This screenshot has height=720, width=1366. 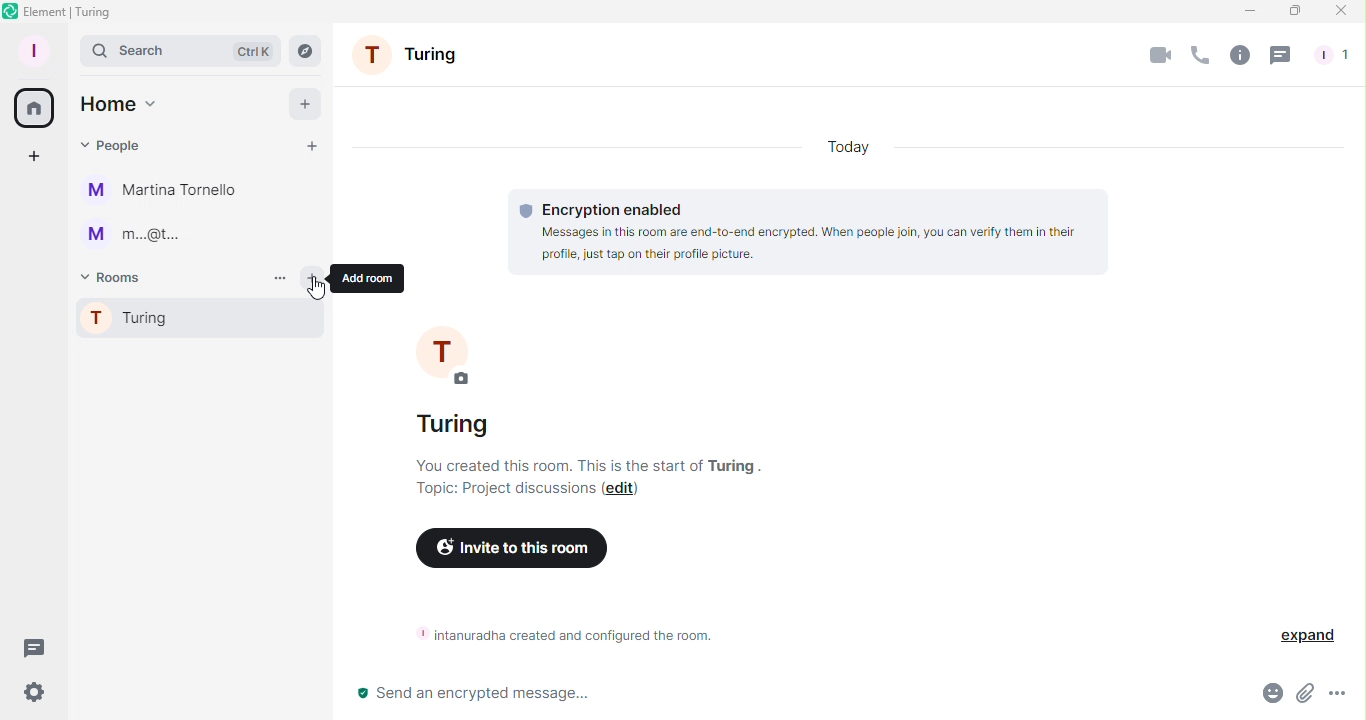 What do you see at coordinates (374, 278) in the screenshot?
I see `Add room` at bounding box center [374, 278].